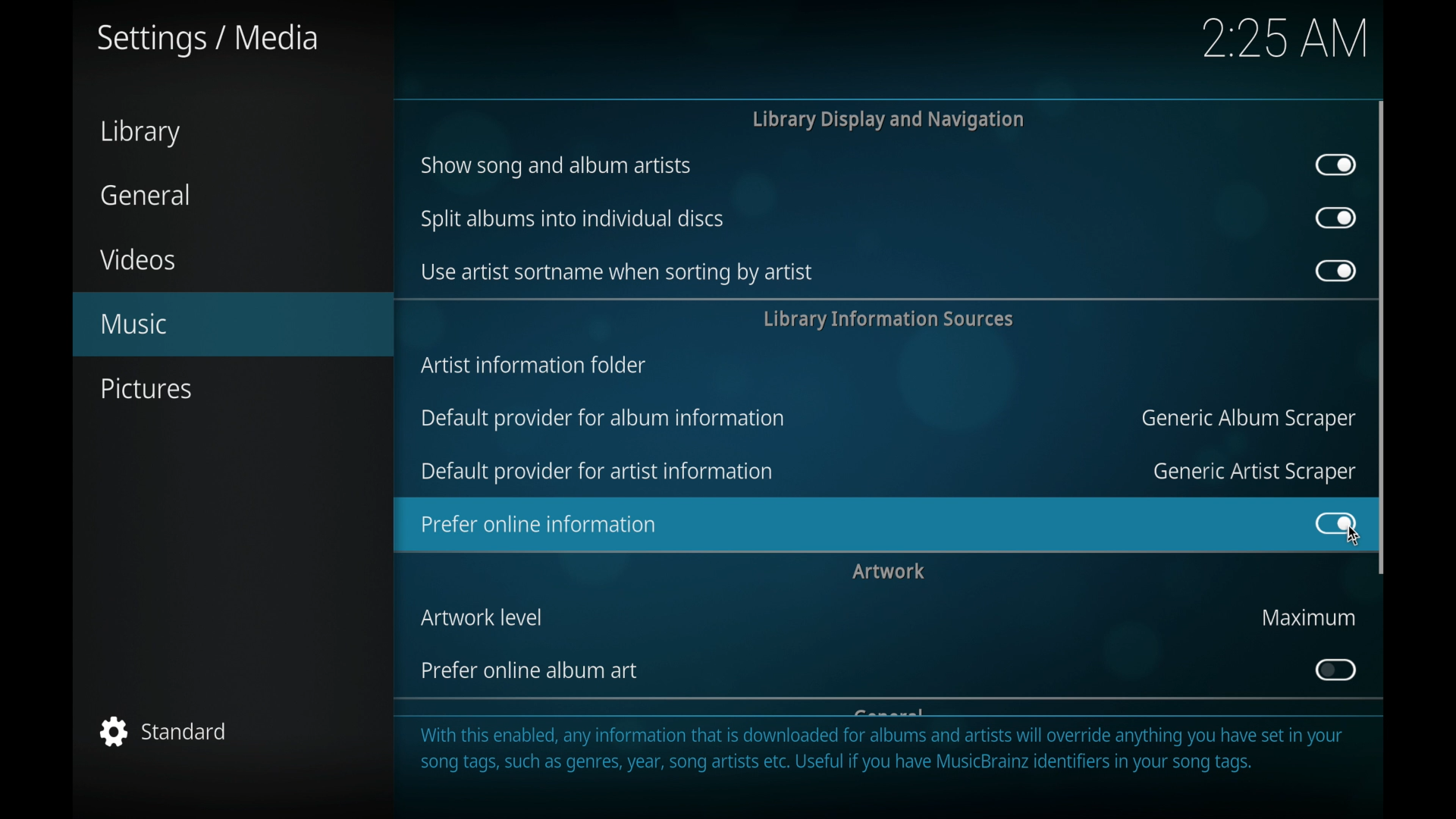 Image resolution: width=1456 pixels, height=819 pixels. Describe the element at coordinates (572, 219) in the screenshot. I see `split albums into individual discs` at that location.